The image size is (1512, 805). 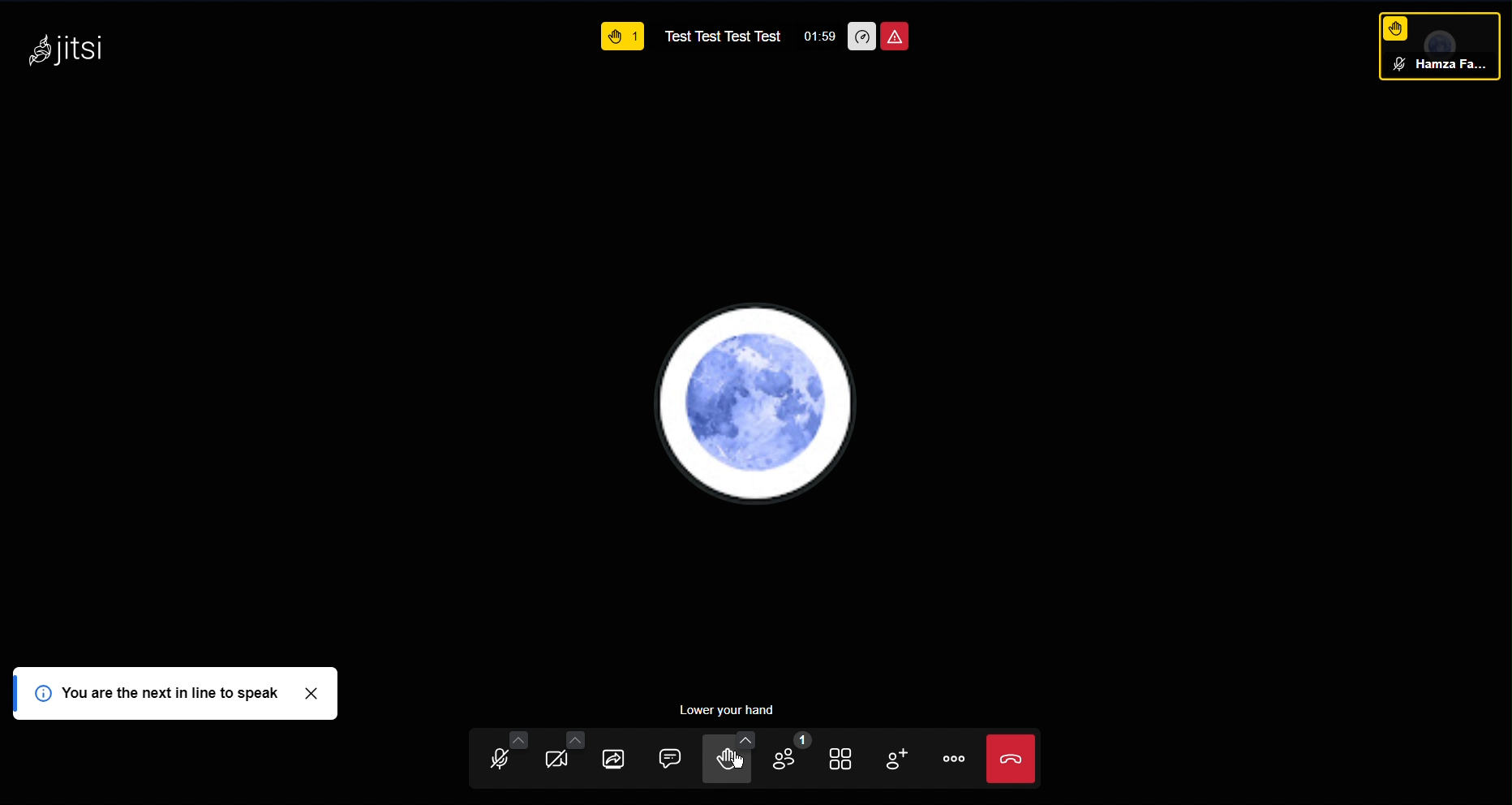 I want to click on Lower your hand, so click(x=724, y=710).